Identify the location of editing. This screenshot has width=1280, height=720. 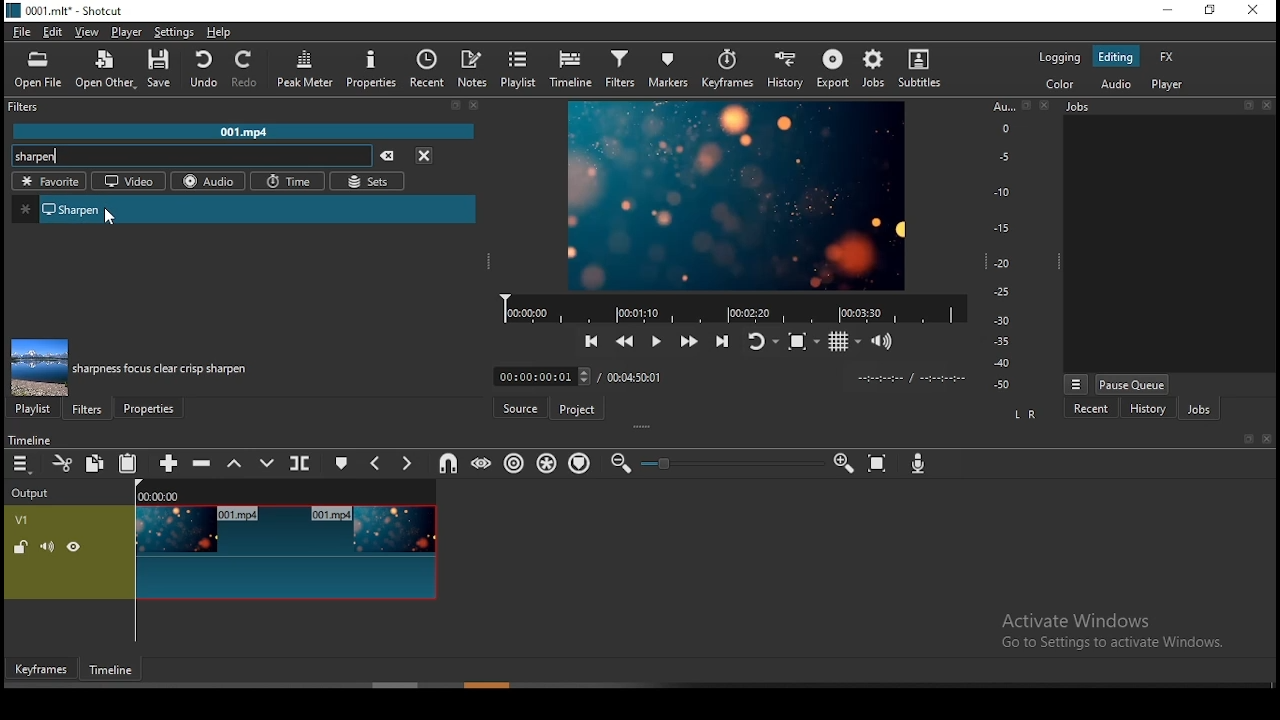
(1115, 55).